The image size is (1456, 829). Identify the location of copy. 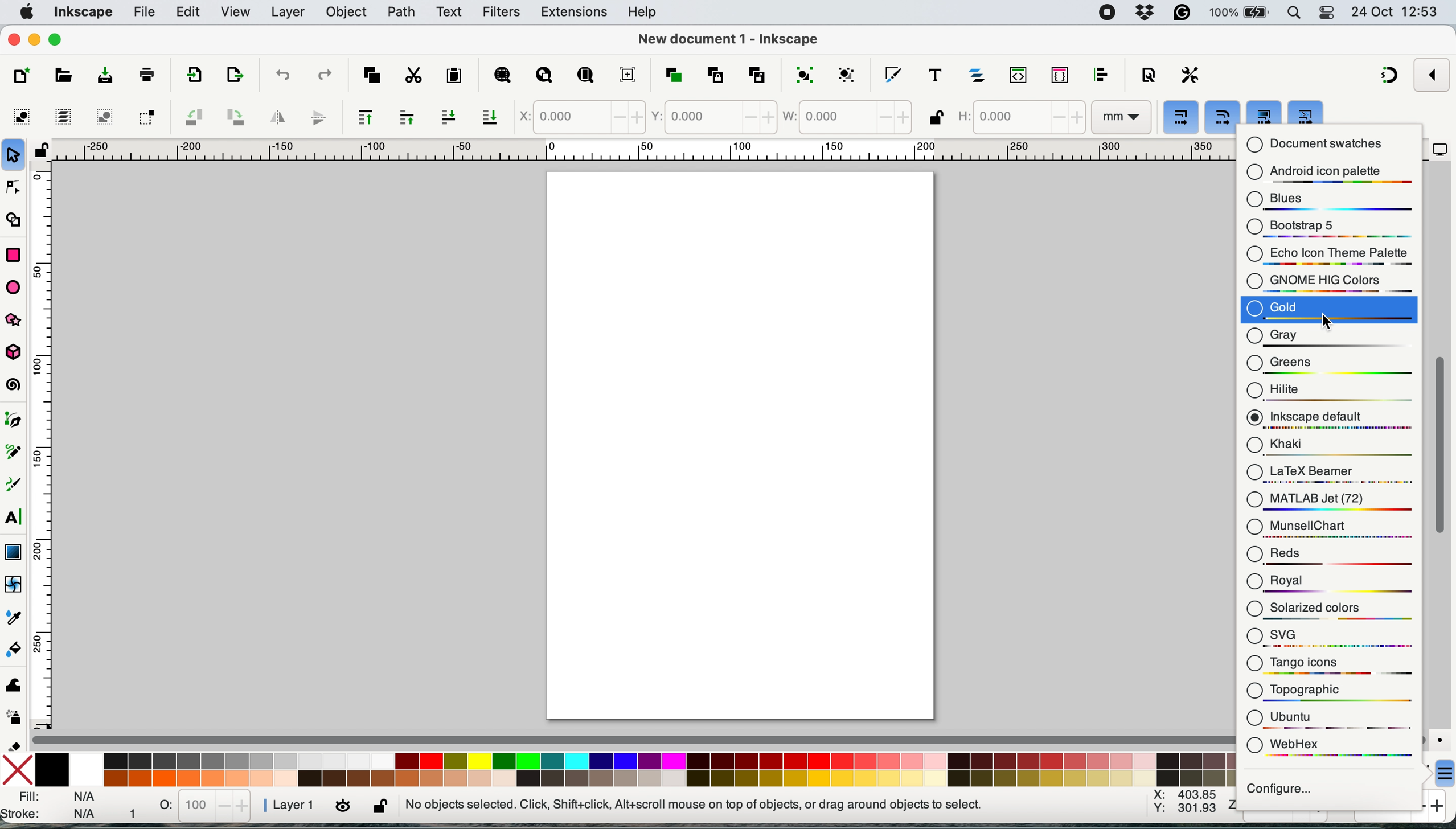
(372, 75).